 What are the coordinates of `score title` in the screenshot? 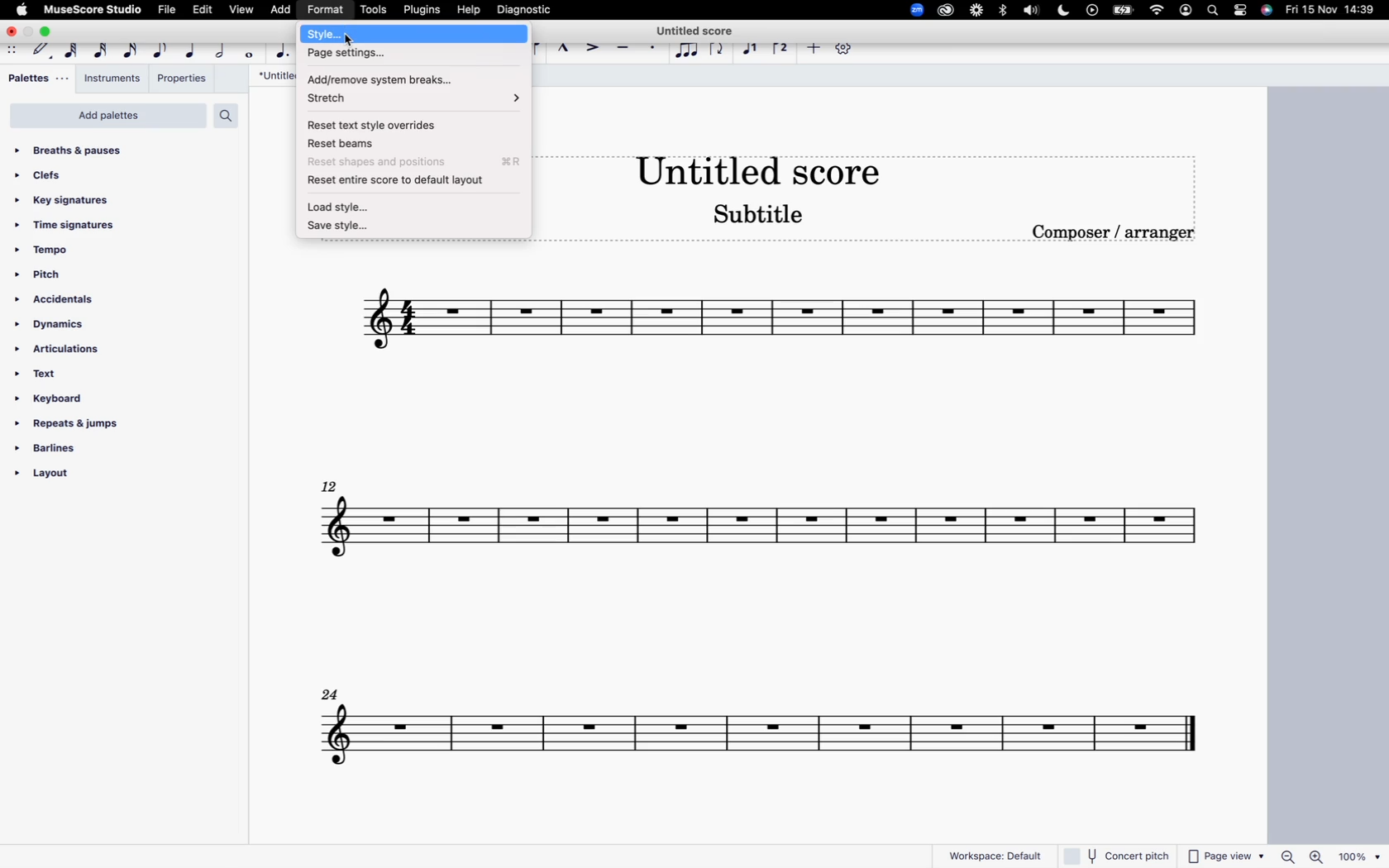 It's located at (758, 166).